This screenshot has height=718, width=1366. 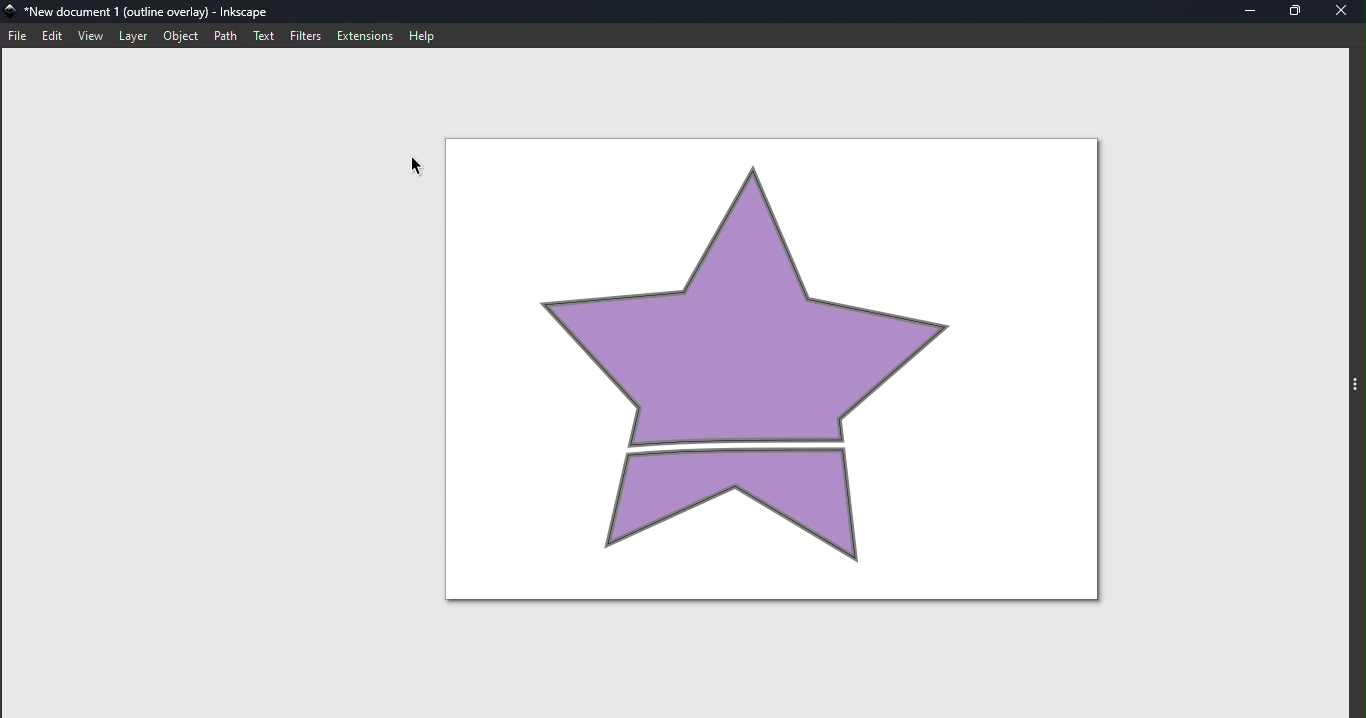 I want to click on Maximize, so click(x=1297, y=11).